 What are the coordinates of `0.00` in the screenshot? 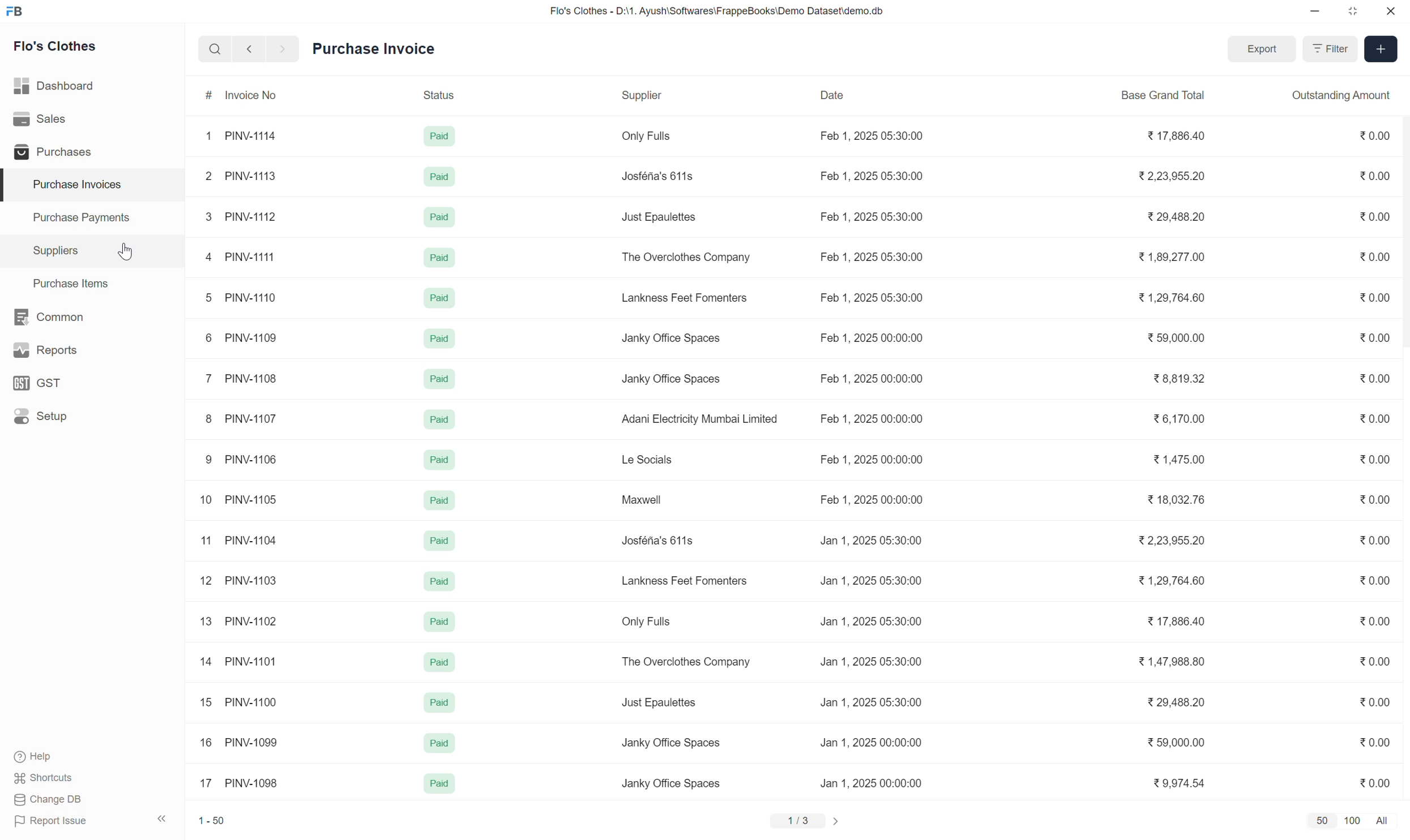 It's located at (1375, 379).